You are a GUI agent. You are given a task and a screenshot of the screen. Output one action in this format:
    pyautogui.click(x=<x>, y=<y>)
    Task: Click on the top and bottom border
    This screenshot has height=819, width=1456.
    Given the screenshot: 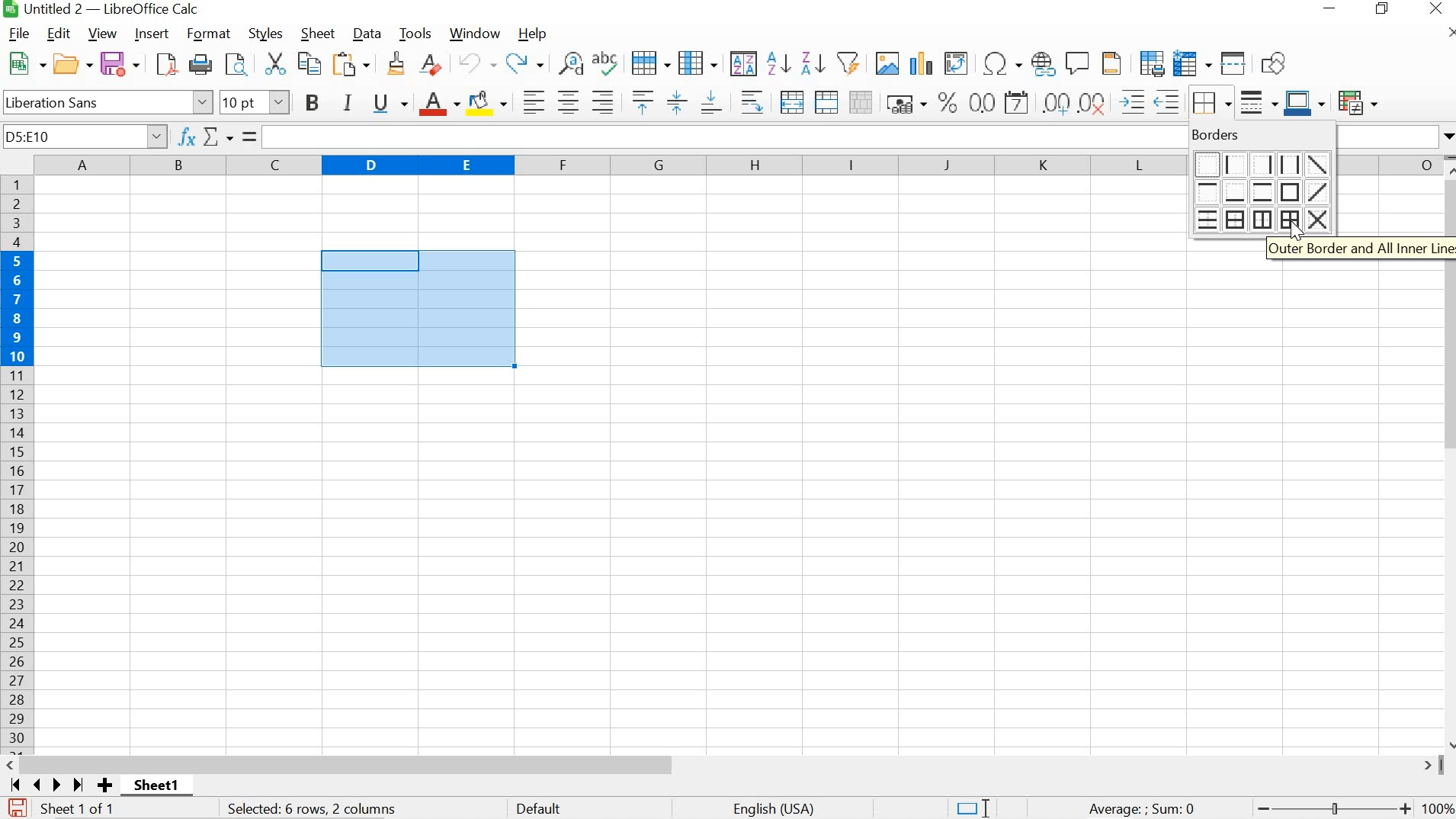 What is the action you would take?
    pyautogui.click(x=1265, y=191)
    